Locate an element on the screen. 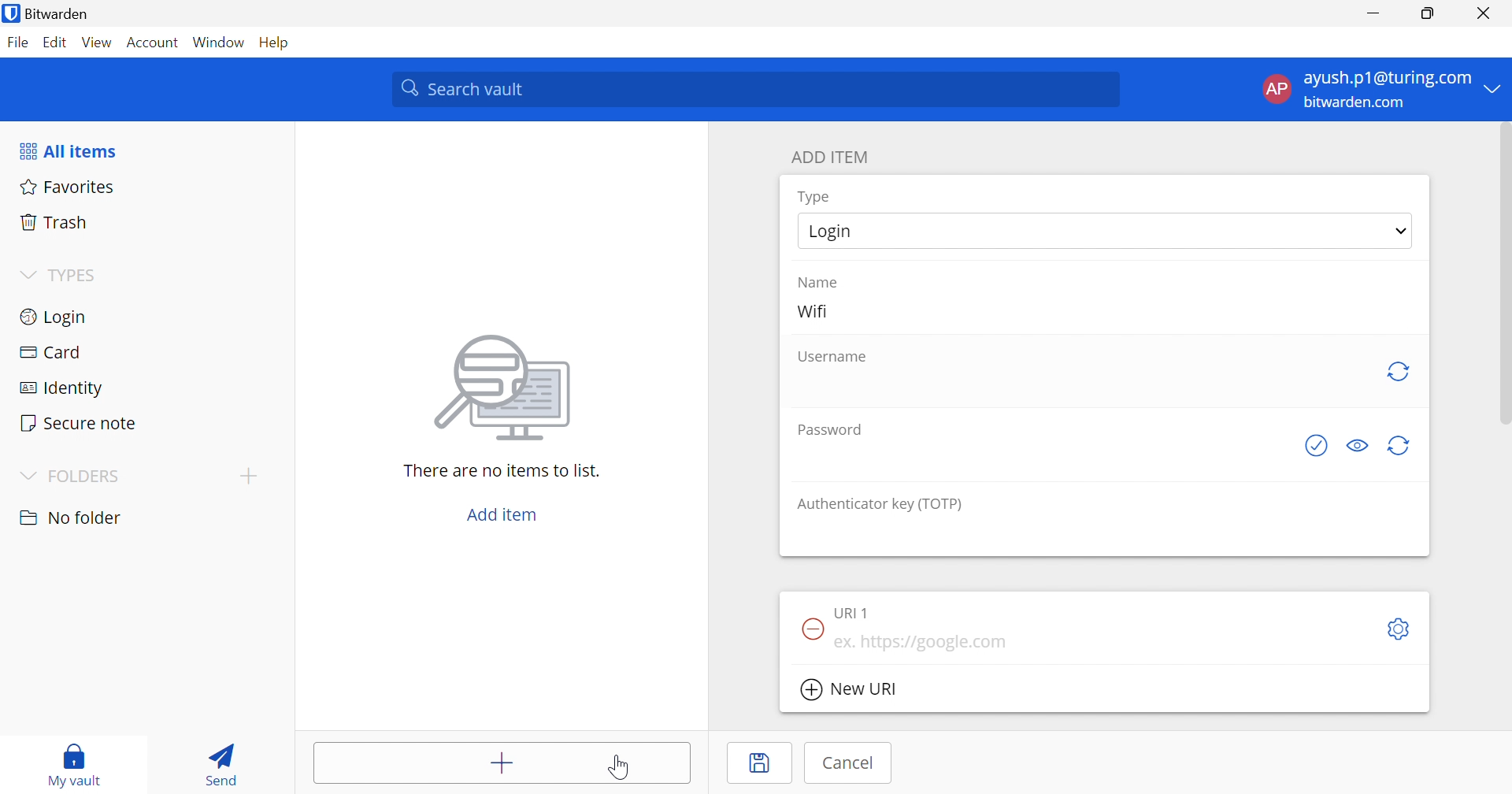  Toggle visibility is located at coordinates (1359, 446).